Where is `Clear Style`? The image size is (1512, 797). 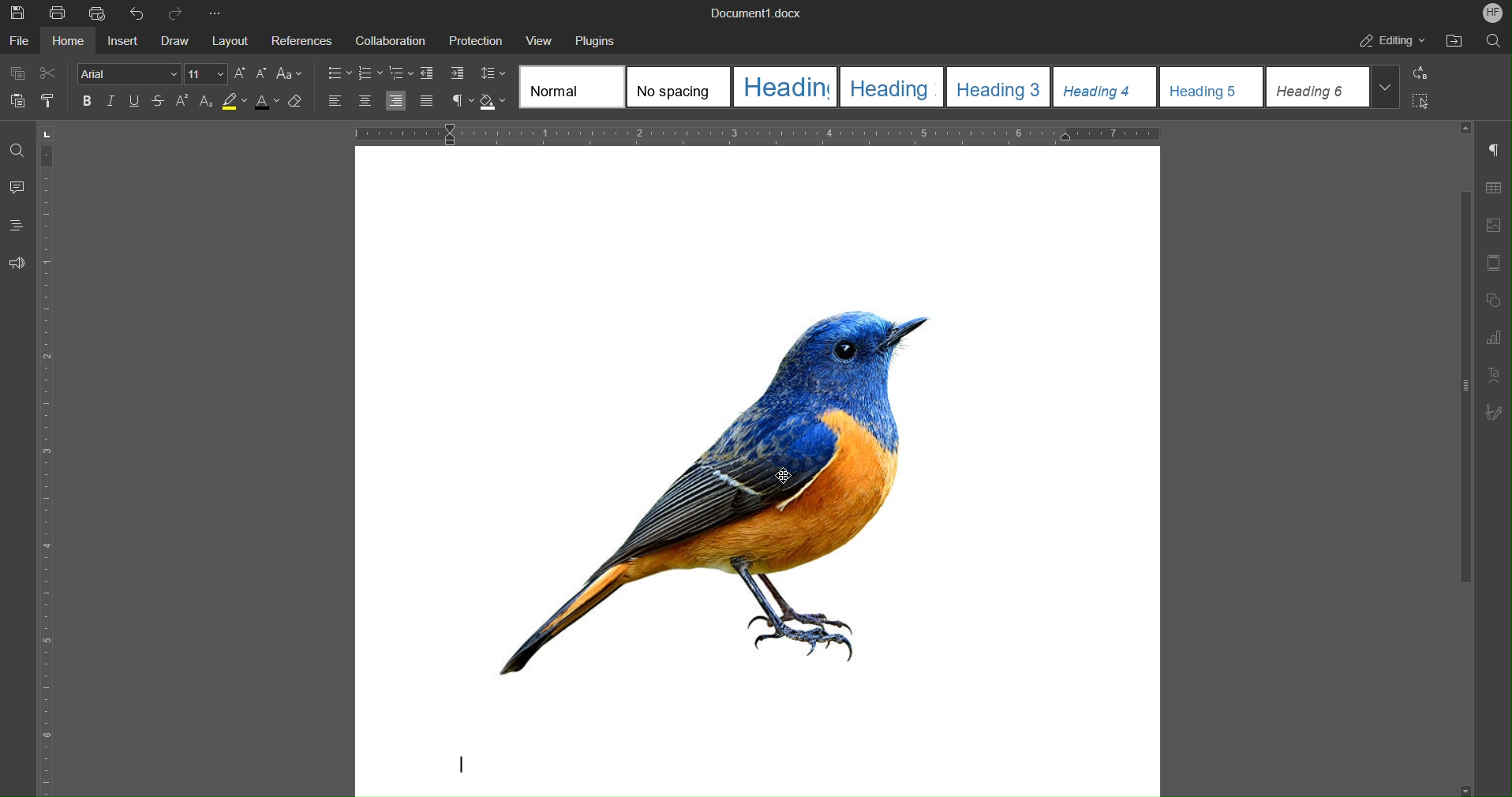
Clear Style is located at coordinates (300, 104).